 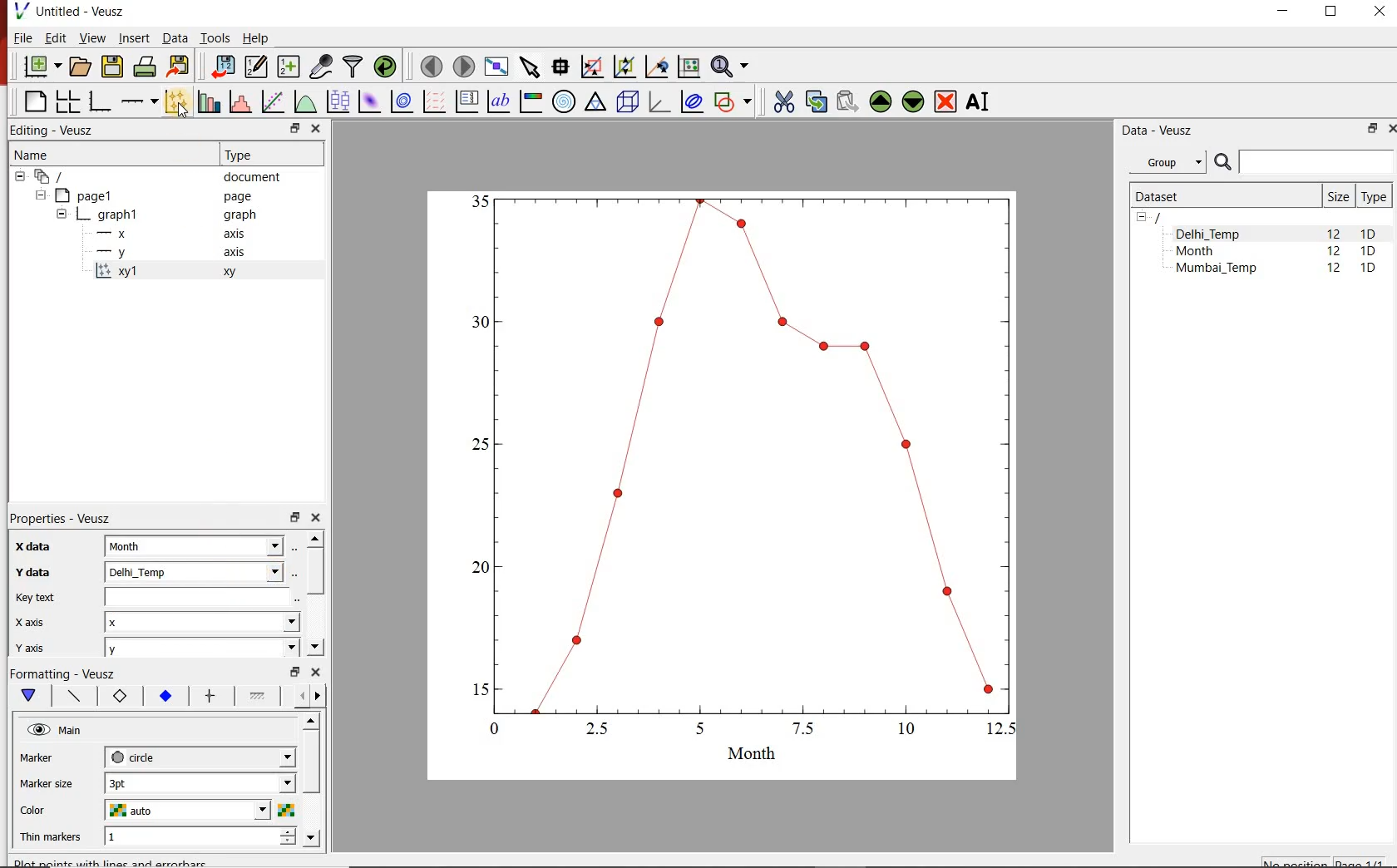 What do you see at coordinates (385, 65) in the screenshot?
I see `reload linked datasets` at bounding box center [385, 65].